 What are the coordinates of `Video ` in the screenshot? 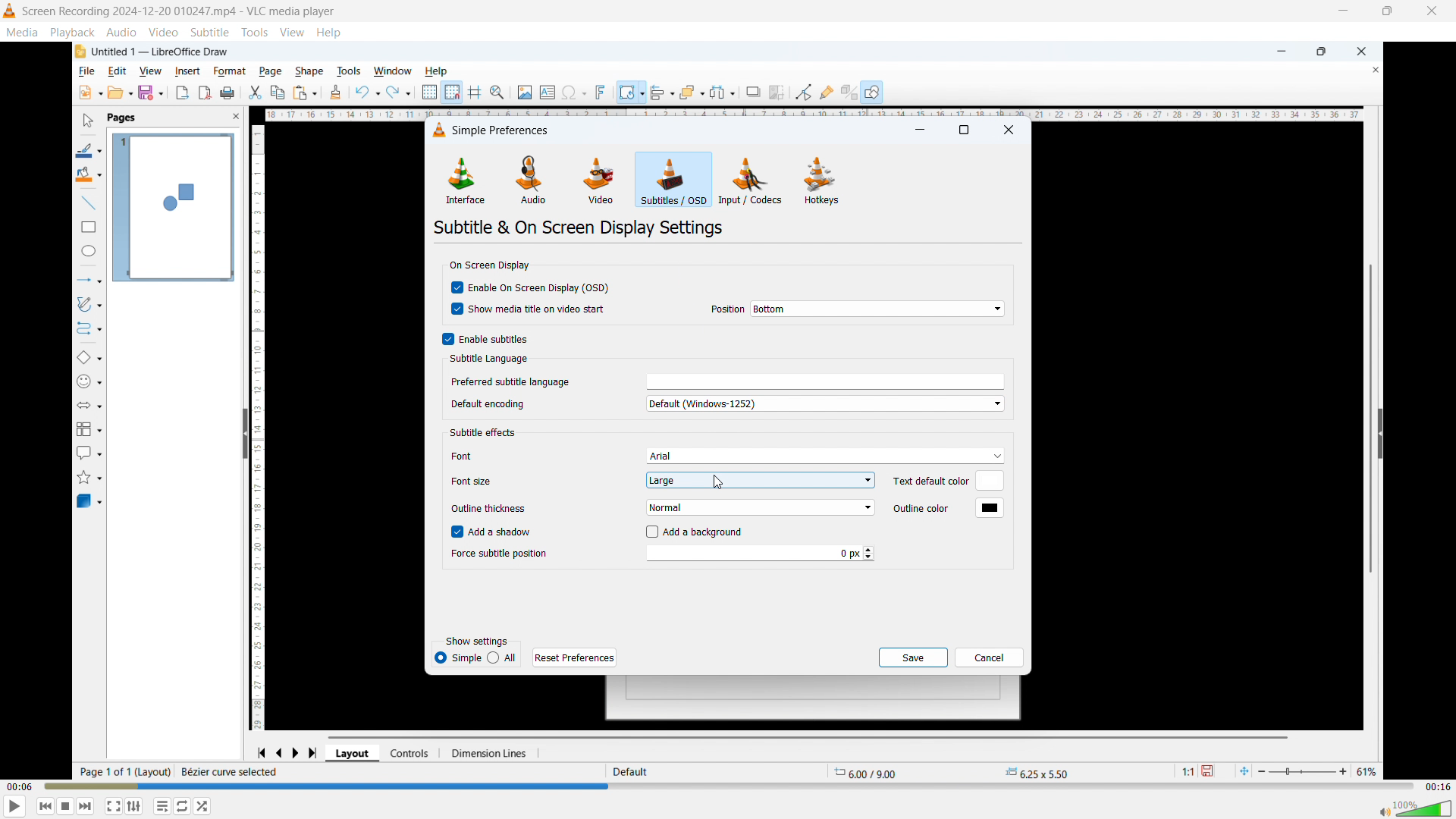 It's located at (162, 33).